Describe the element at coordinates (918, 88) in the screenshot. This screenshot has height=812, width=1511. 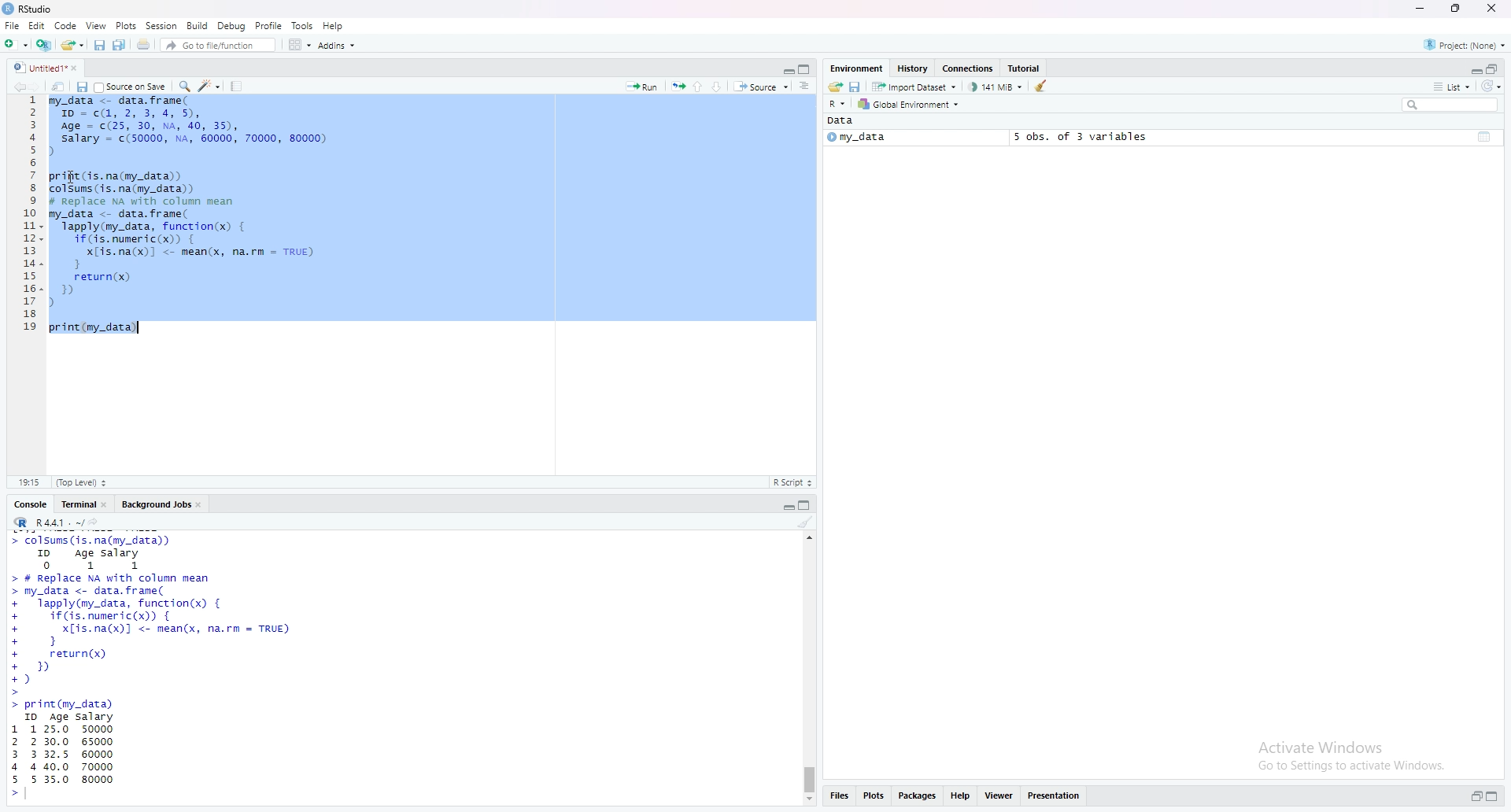
I see `import dataset` at that location.